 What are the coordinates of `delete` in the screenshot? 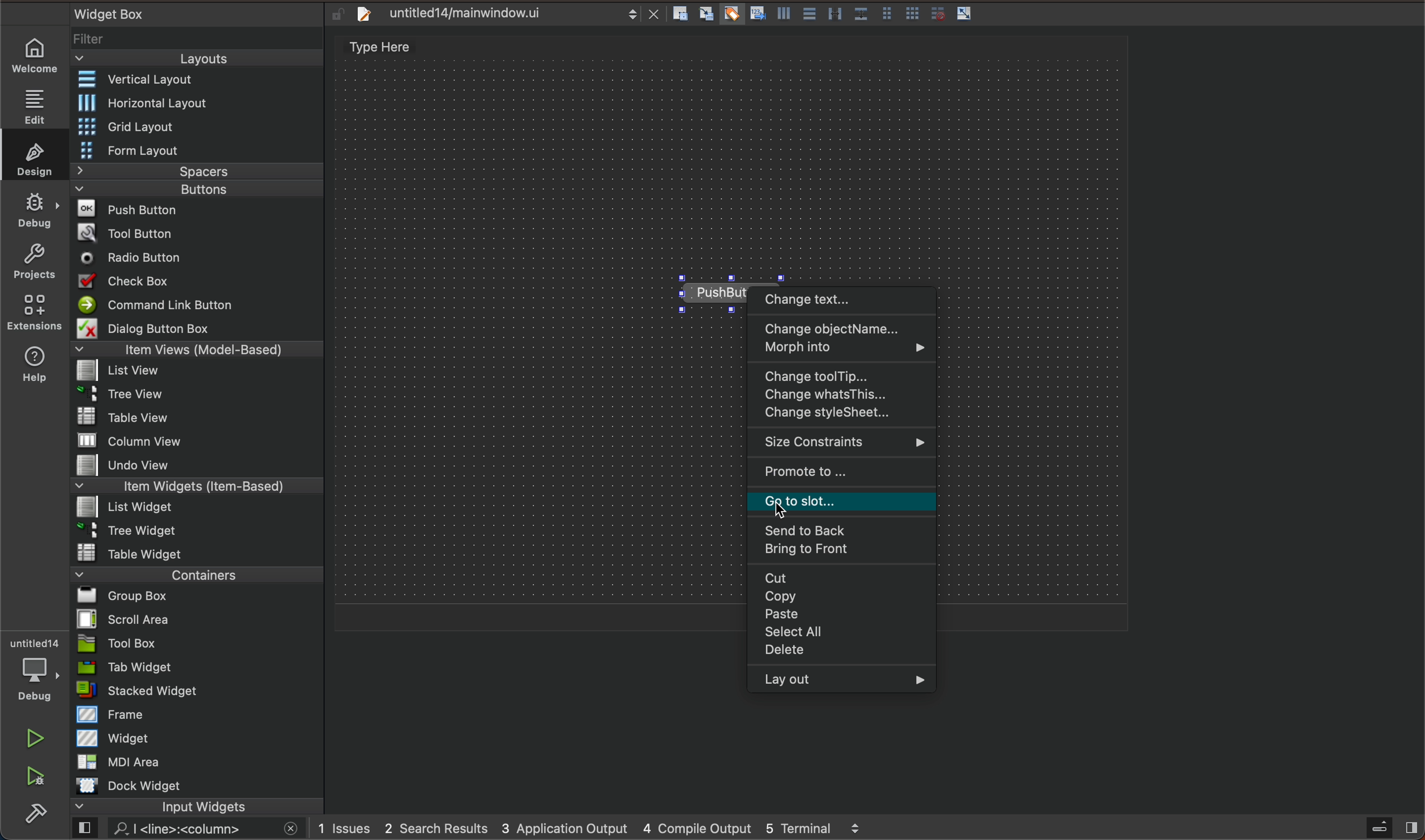 It's located at (838, 653).